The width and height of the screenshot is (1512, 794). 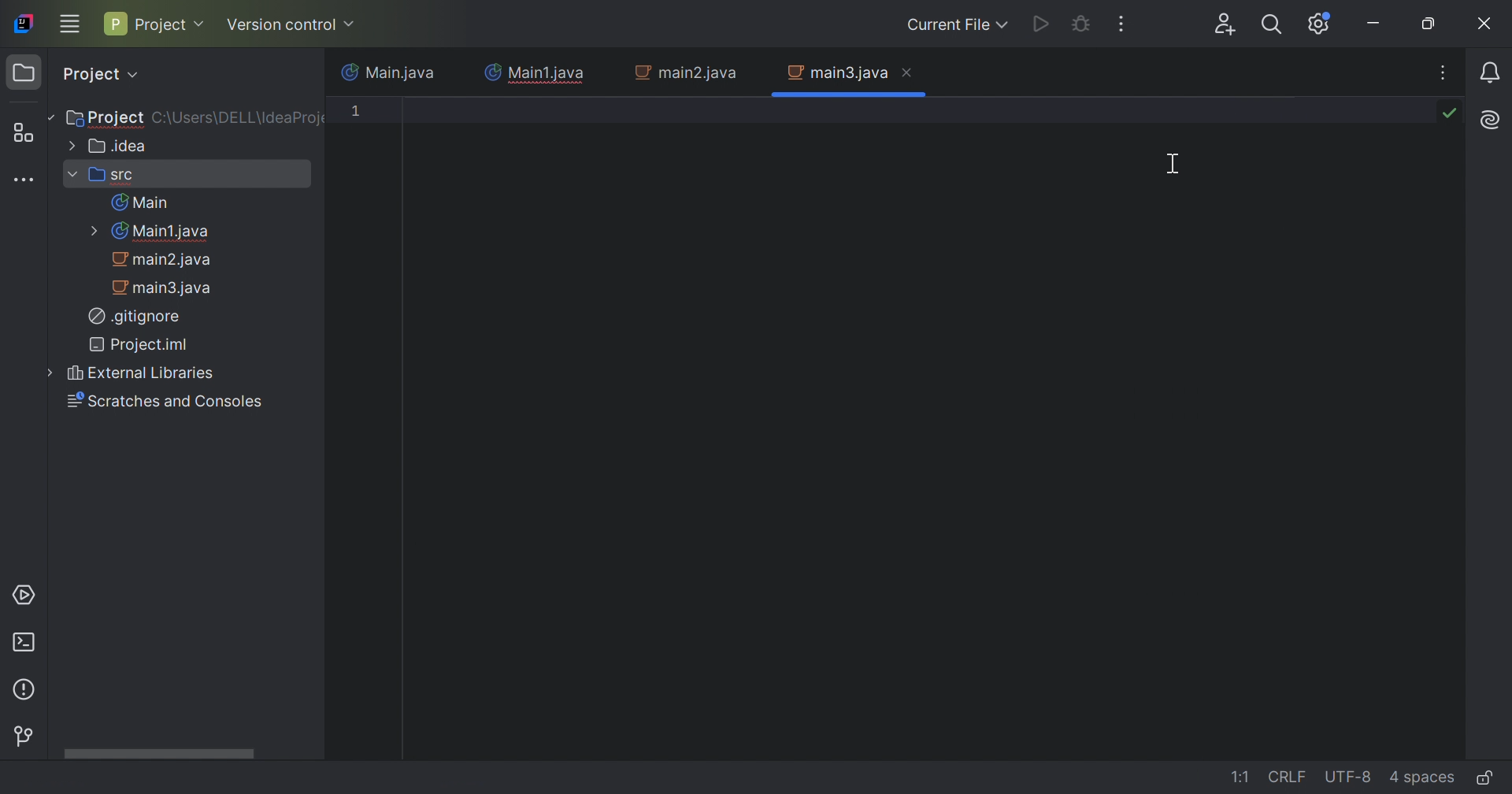 What do you see at coordinates (1488, 72) in the screenshot?
I see `Reminder` at bounding box center [1488, 72].